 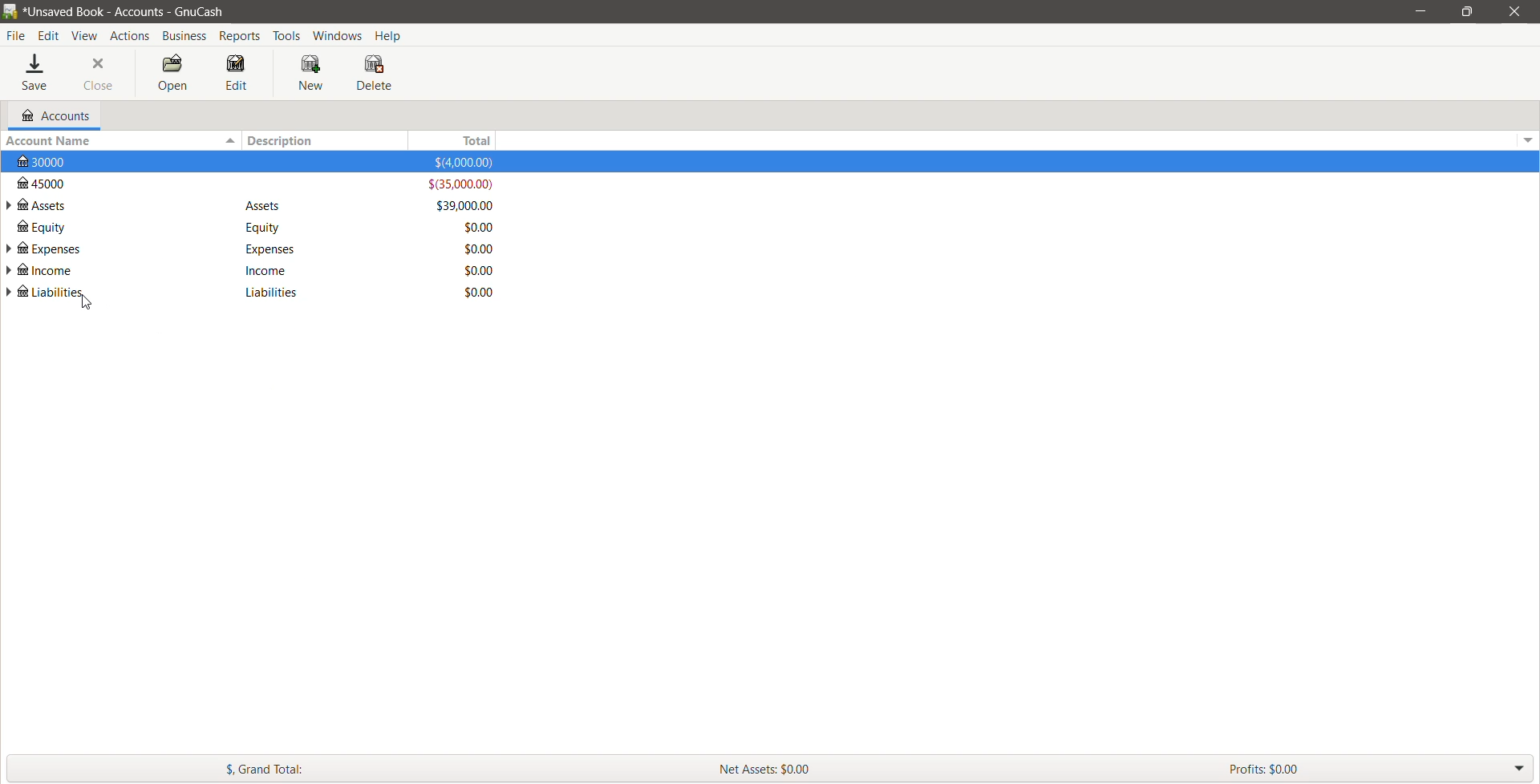 What do you see at coordinates (1421, 10) in the screenshot?
I see `Minimize` at bounding box center [1421, 10].